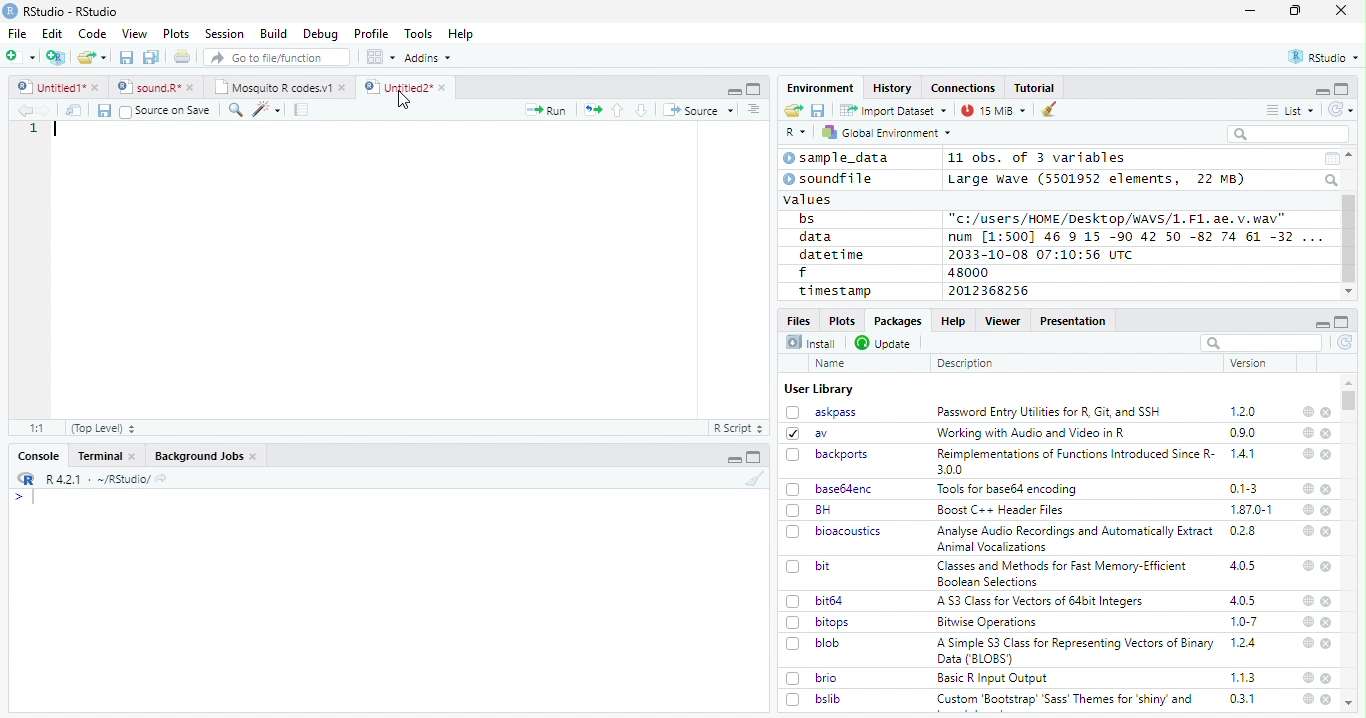 This screenshot has width=1366, height=718. Describe the element at coordinates (754, 88) in the screenshot. I see `Full screen` at that location.